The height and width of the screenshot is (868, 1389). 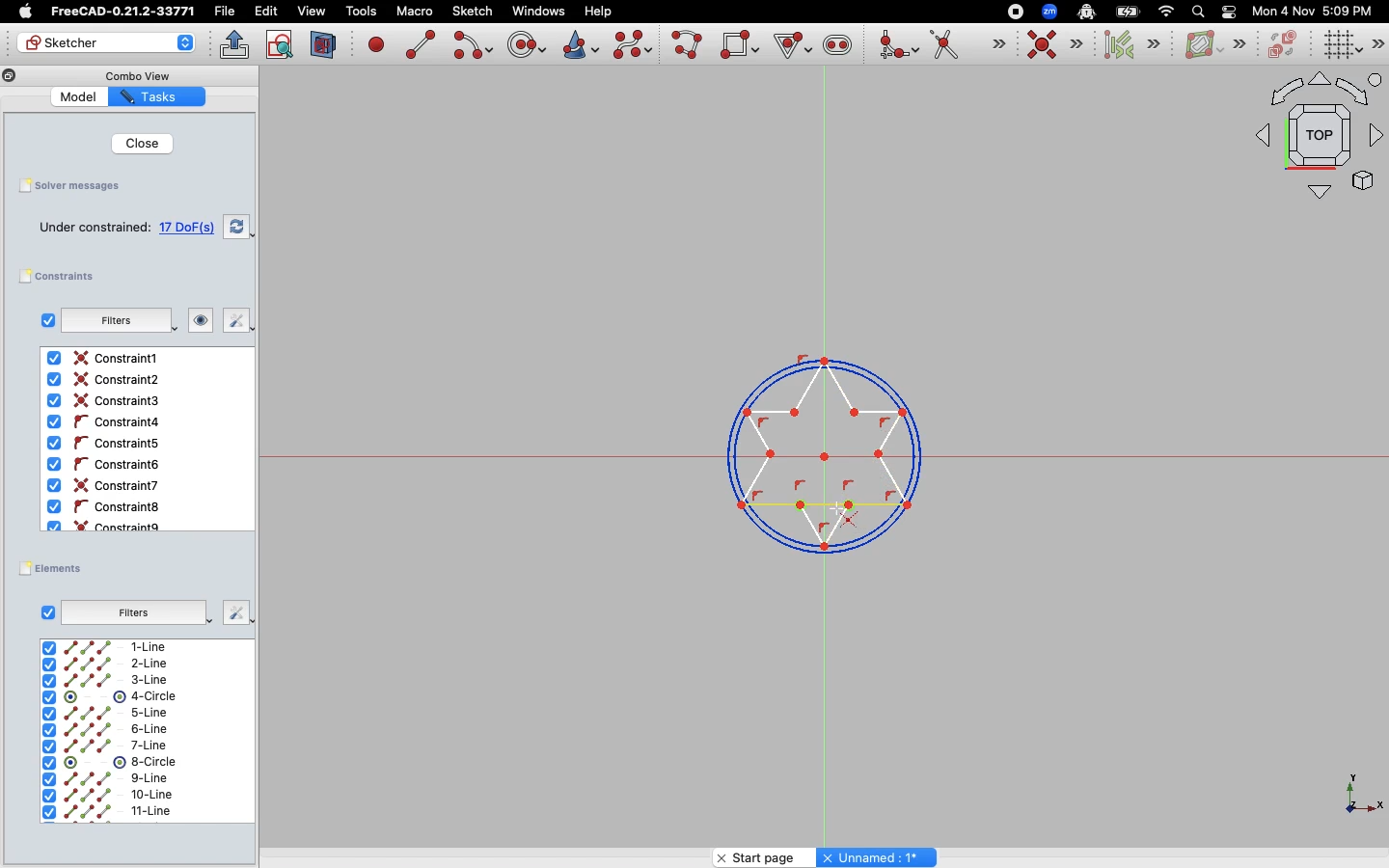 I want to click on Toggle, so click(x=1229, y=12).